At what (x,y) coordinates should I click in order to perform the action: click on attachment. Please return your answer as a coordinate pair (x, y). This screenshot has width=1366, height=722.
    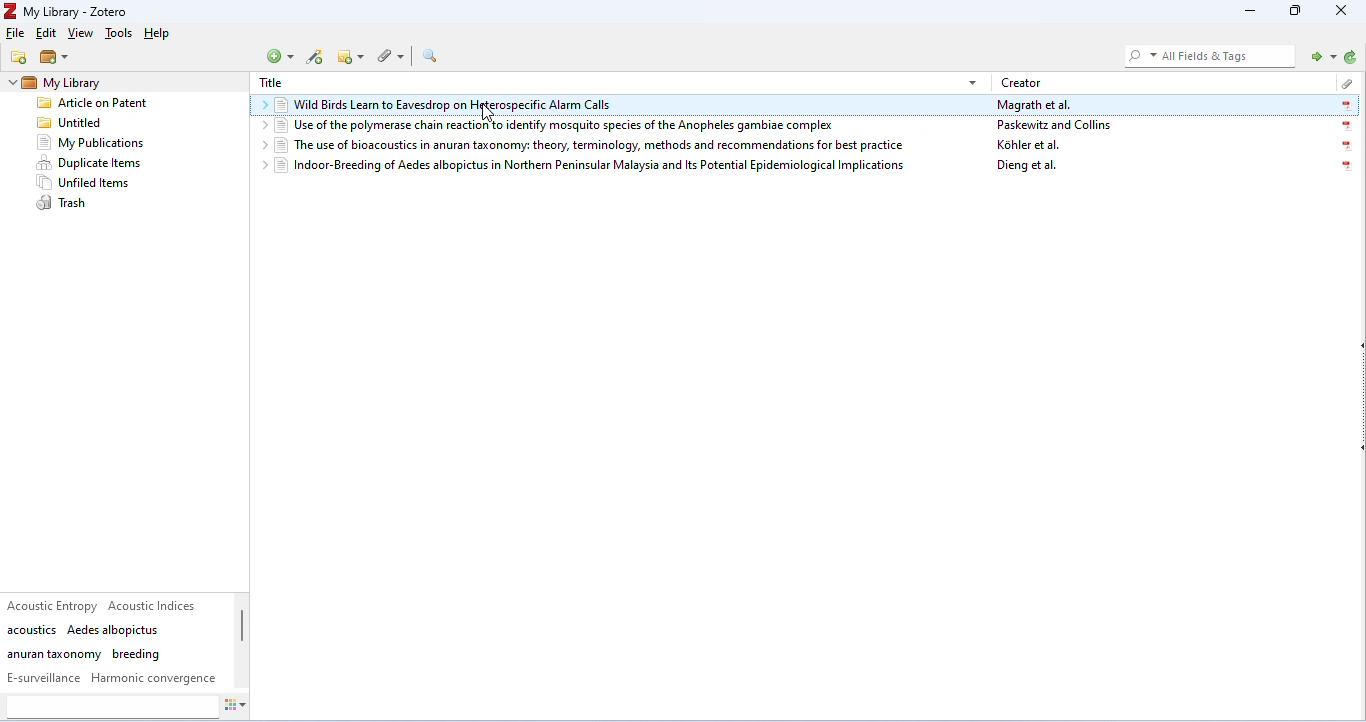
    Looking at the image, I should click on (1346, 82).